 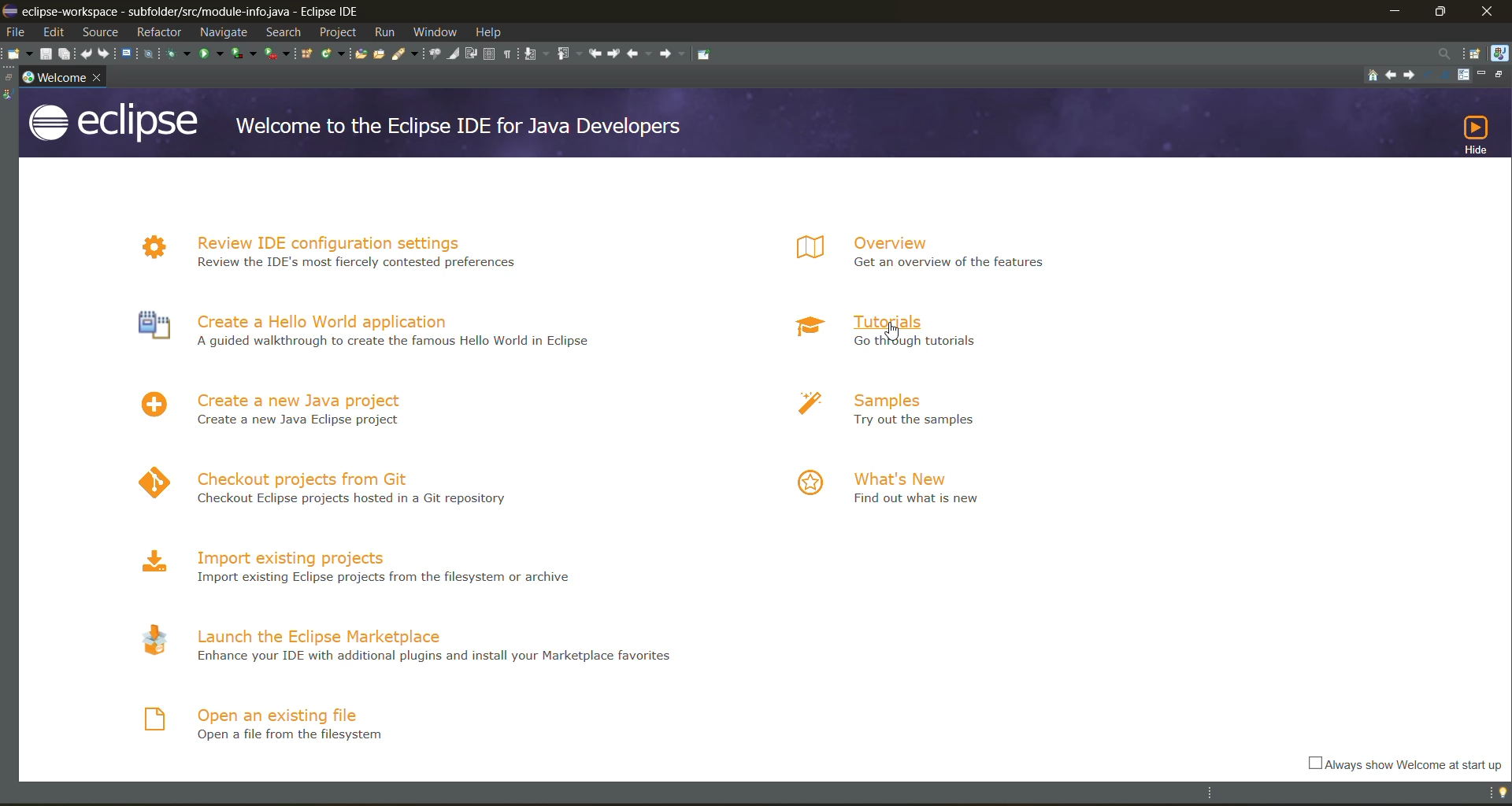 What do you see at coordinates (336, 31) in the screenshot?
I see `project` at bounding box center [336, 31].